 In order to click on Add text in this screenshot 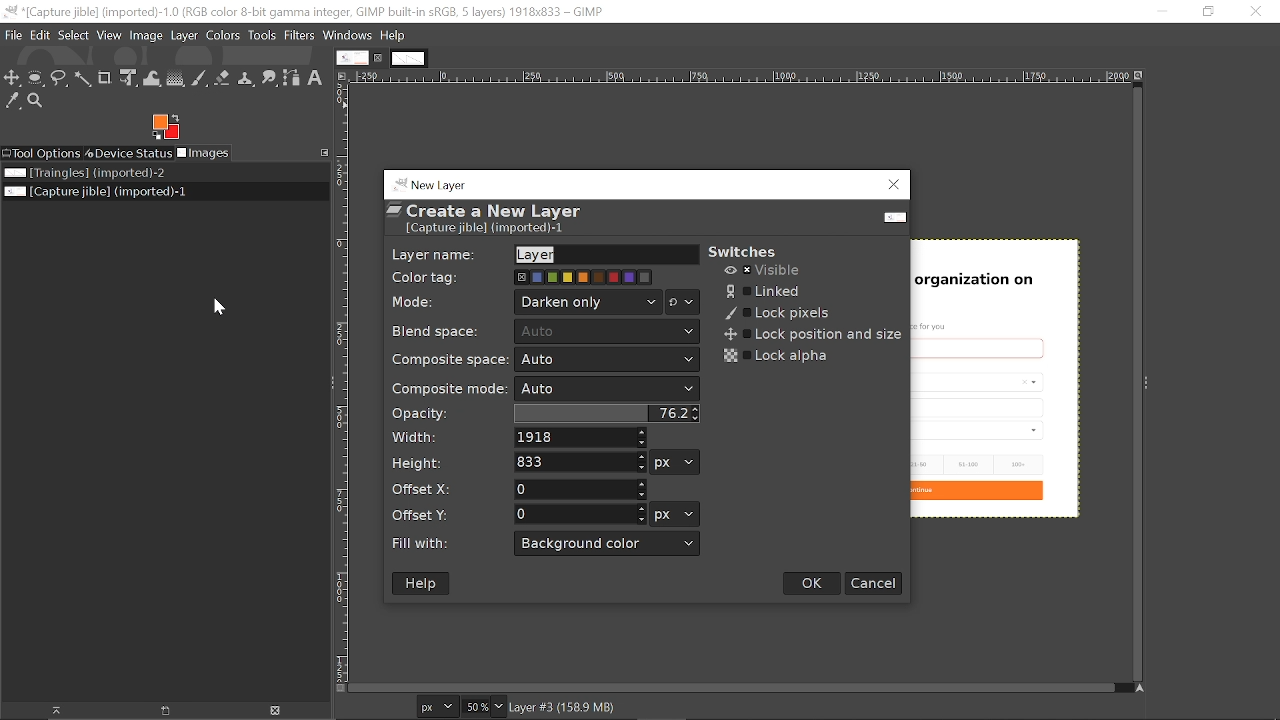, I will do `click(319, 79)`.